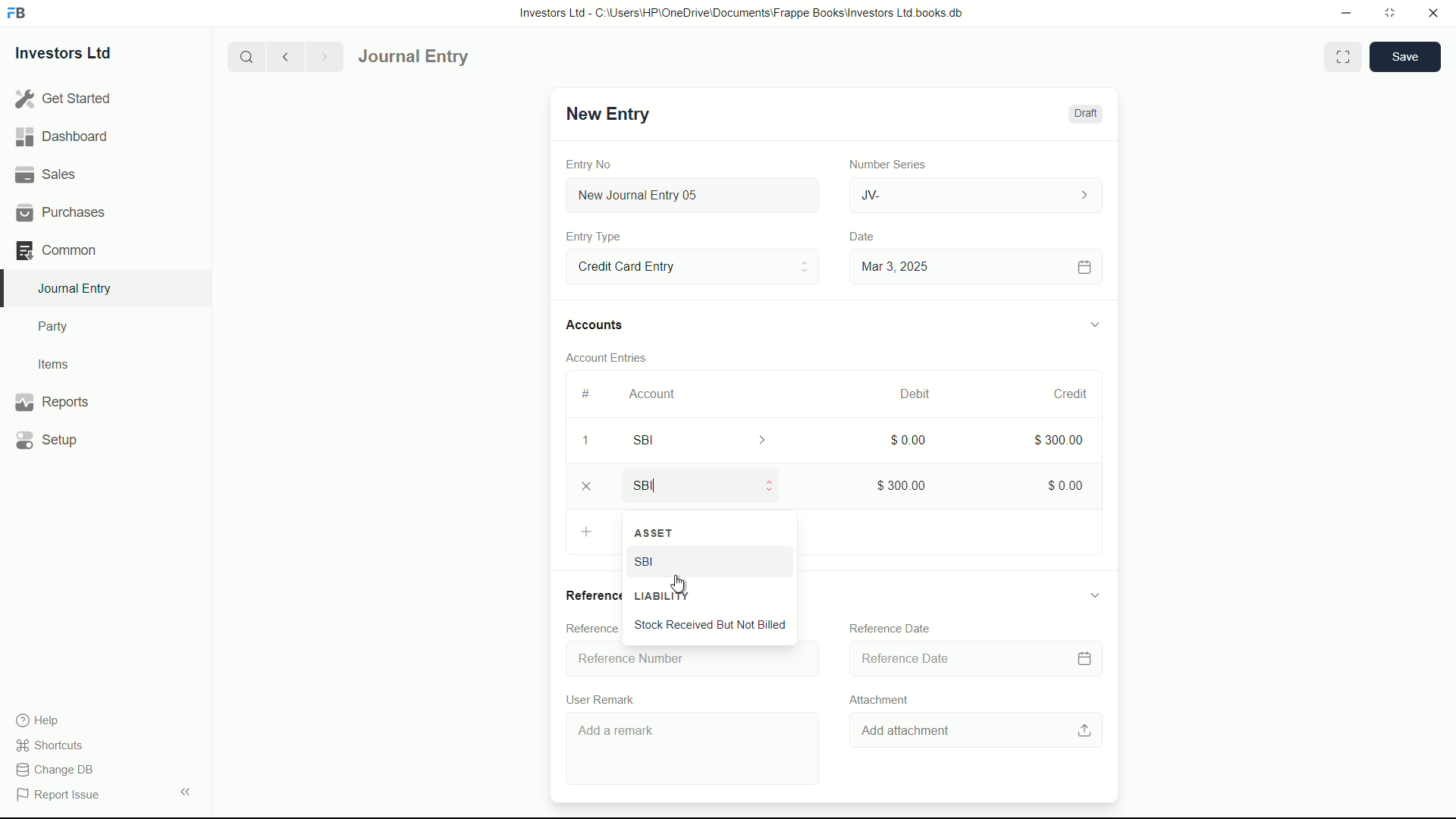 The width and height of the screenshot is (1456, 819). Describe the element at coordinates (589, 534) in the screenshot. I see `Add Row` at that location.